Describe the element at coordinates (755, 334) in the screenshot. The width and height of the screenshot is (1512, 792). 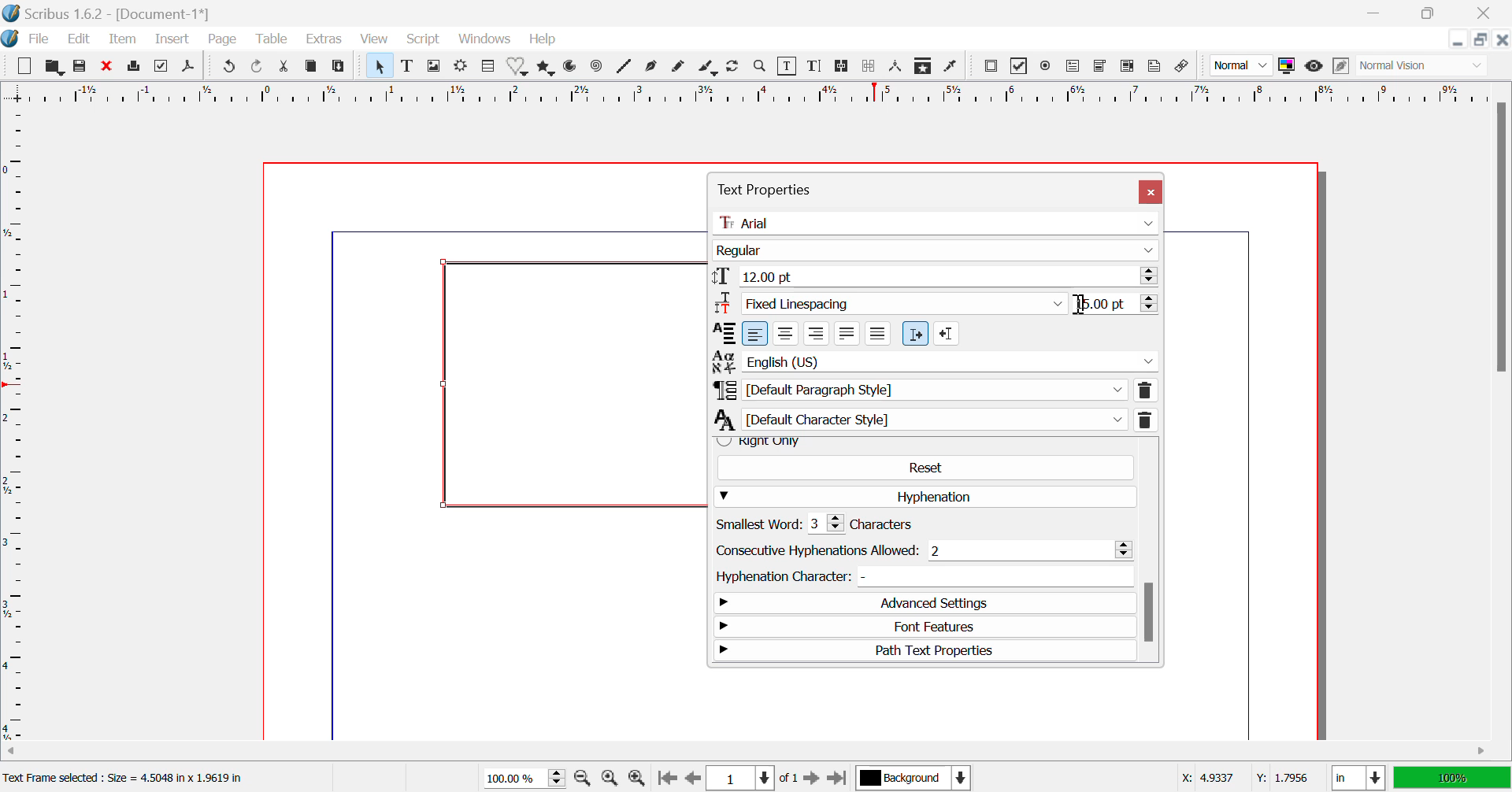
I see `left align` at that location.